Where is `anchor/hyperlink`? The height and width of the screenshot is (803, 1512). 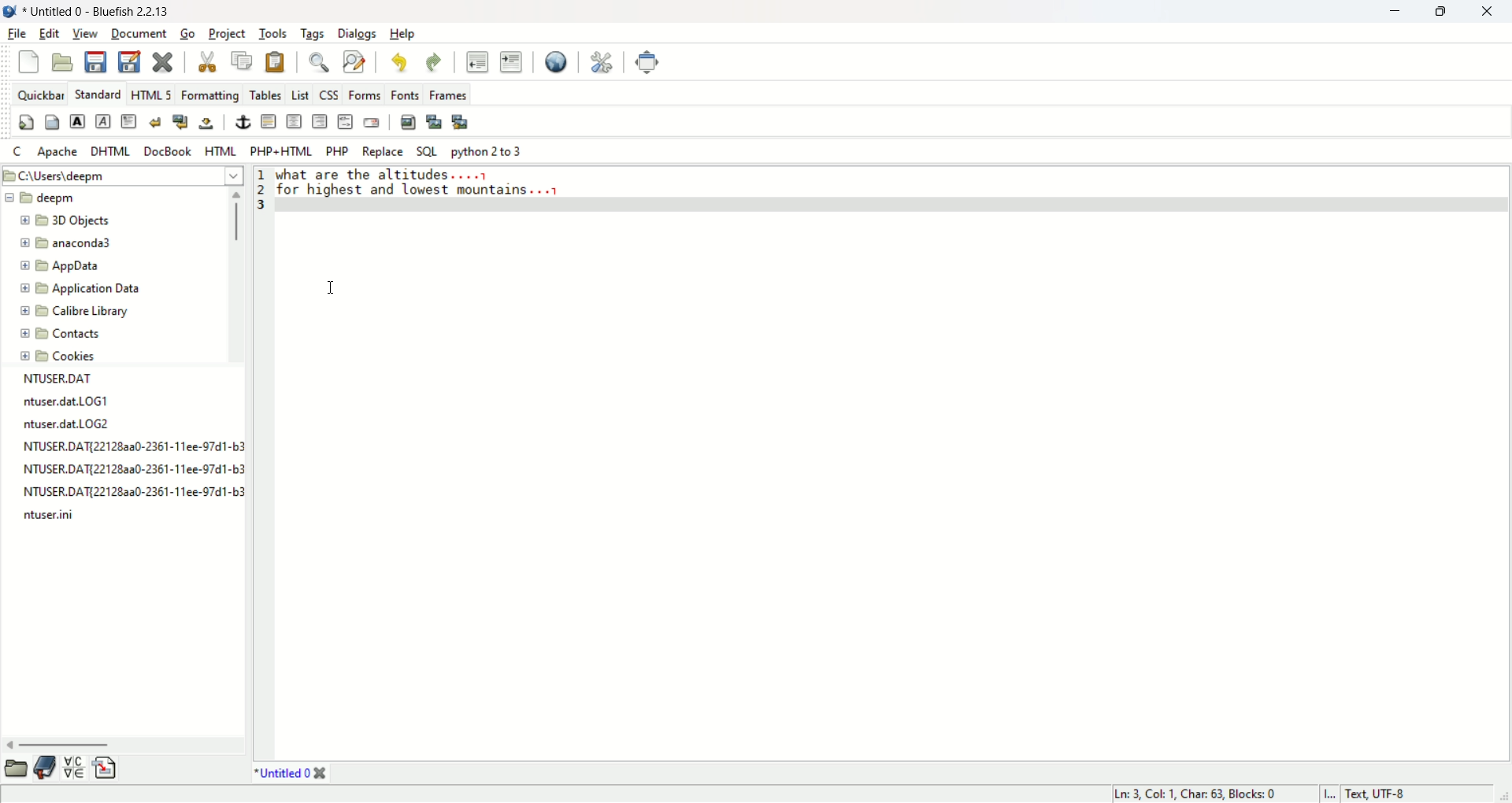 anchor/hyperlink is located at coordinates (244, 122).